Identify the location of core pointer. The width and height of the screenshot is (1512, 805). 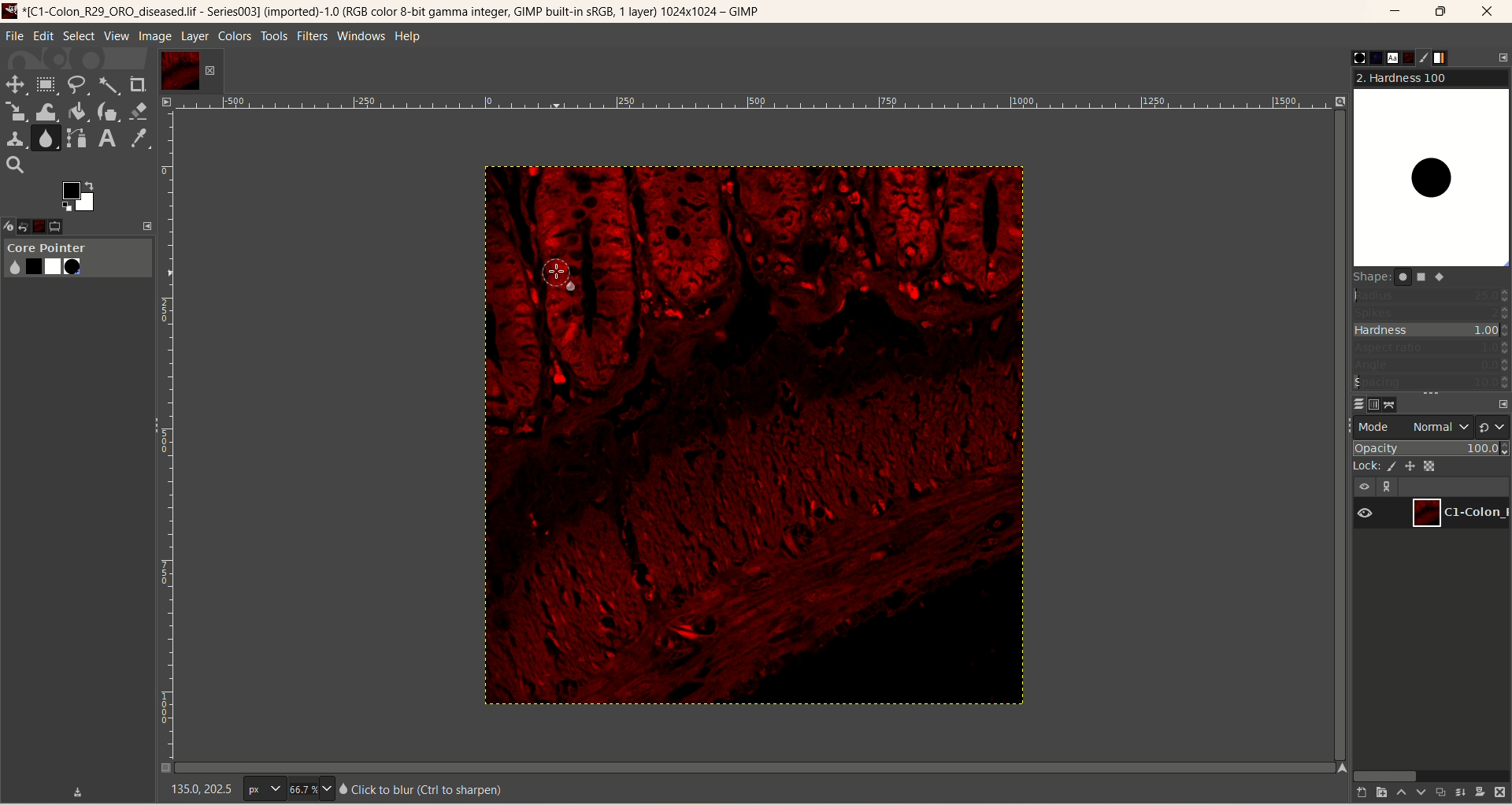
(77, 259).